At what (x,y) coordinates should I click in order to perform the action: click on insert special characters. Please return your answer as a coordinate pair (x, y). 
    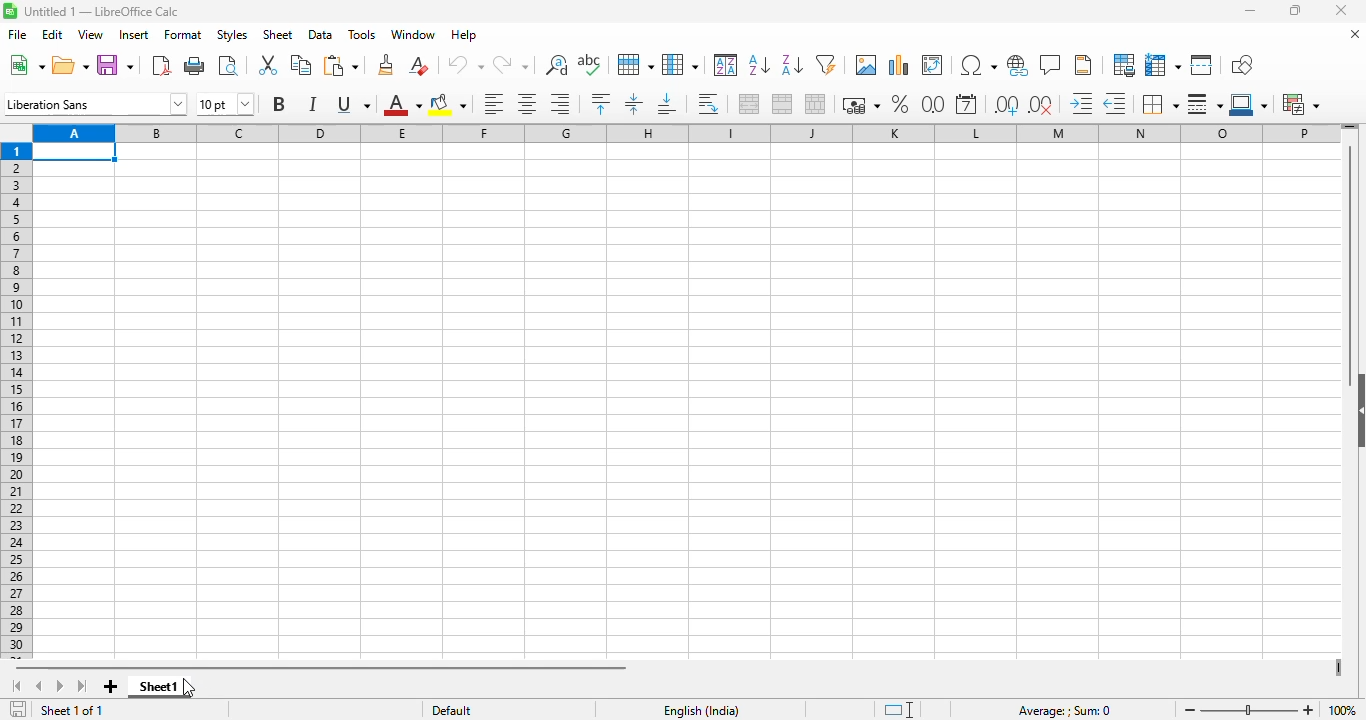
    Looking at the image, I should click on (978, 66).